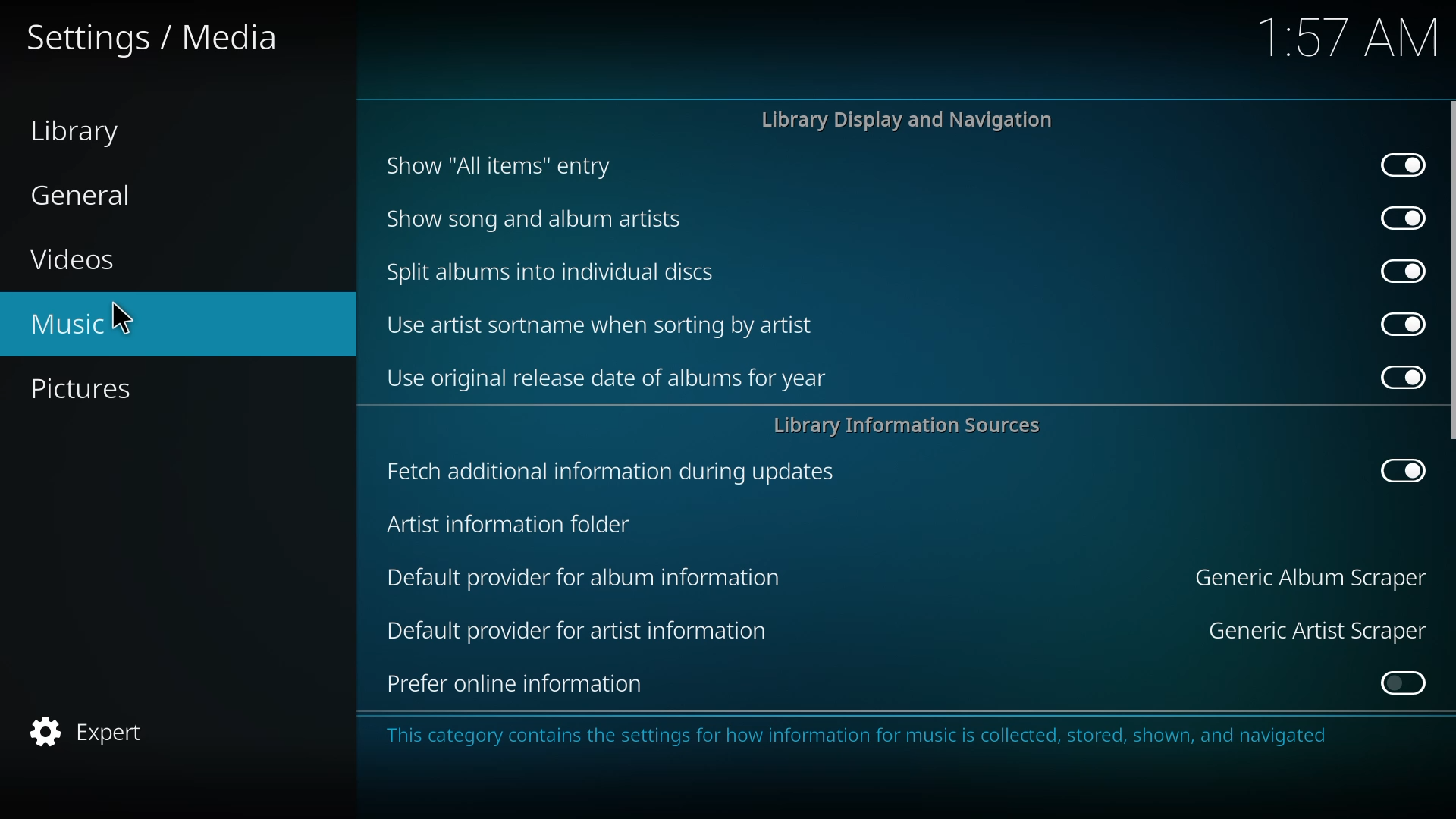 This screenshot has width=1456, height=819. Describe the element at coordinates (1313, 629) in the screenshot. I see `generic` at that location.